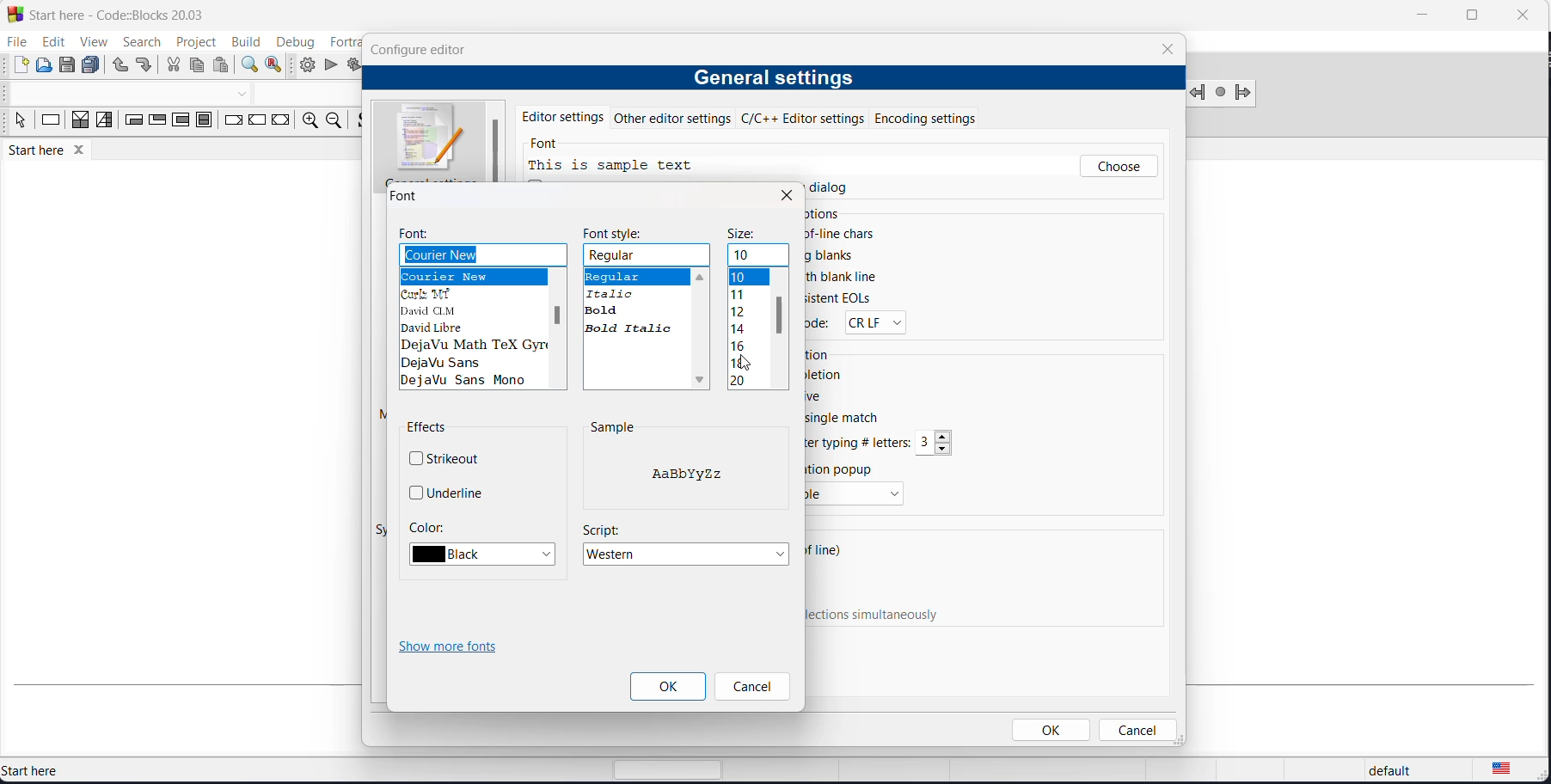 The image size is (1551, 784). What do you see at coordinates (58, 153) in the screenshot?
I see `start here tab` at bounding box center [58, 153].